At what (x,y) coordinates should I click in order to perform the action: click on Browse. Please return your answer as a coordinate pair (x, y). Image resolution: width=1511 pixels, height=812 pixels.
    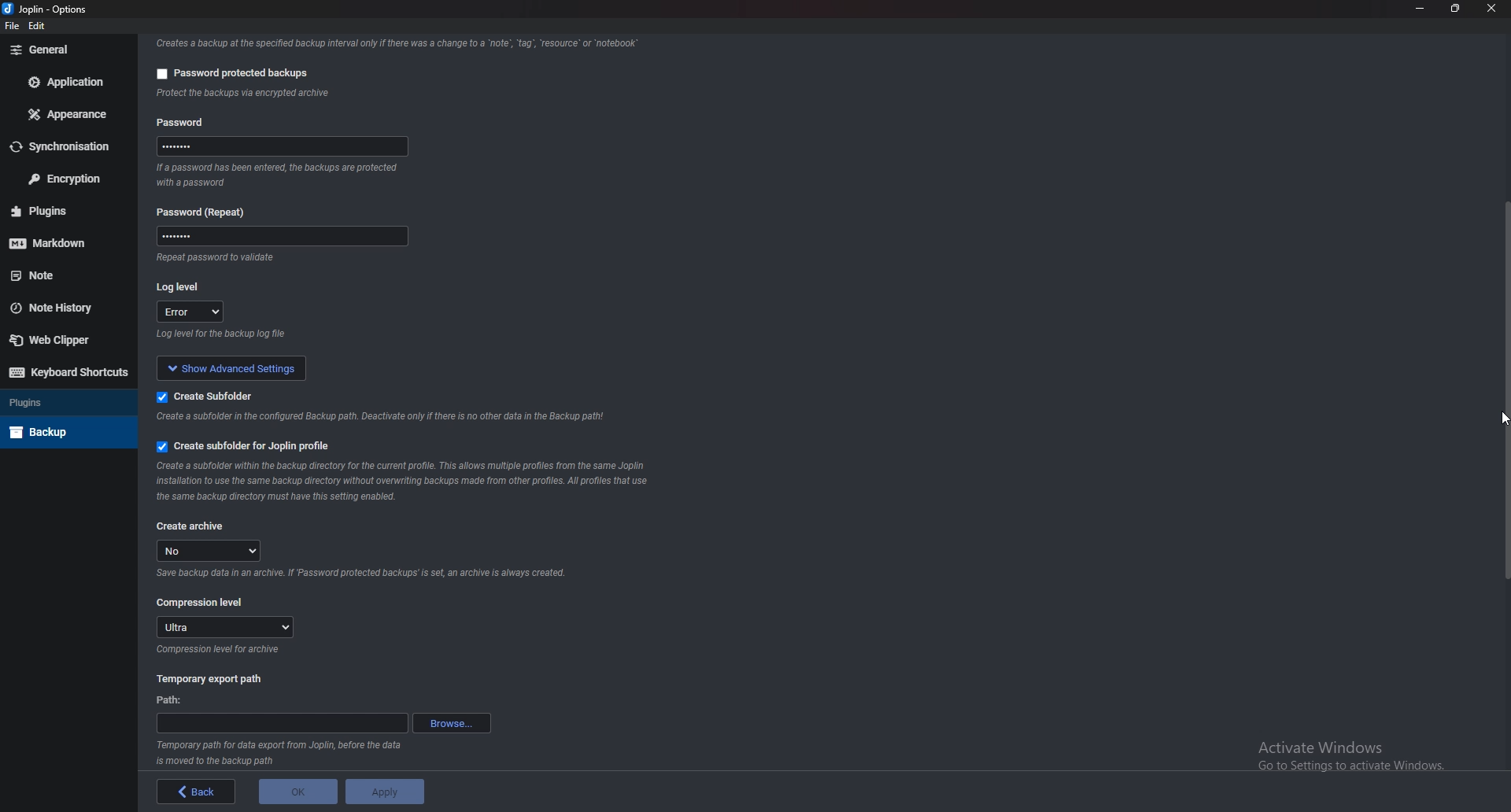
    Looking at the image, I should click on (451, 723).